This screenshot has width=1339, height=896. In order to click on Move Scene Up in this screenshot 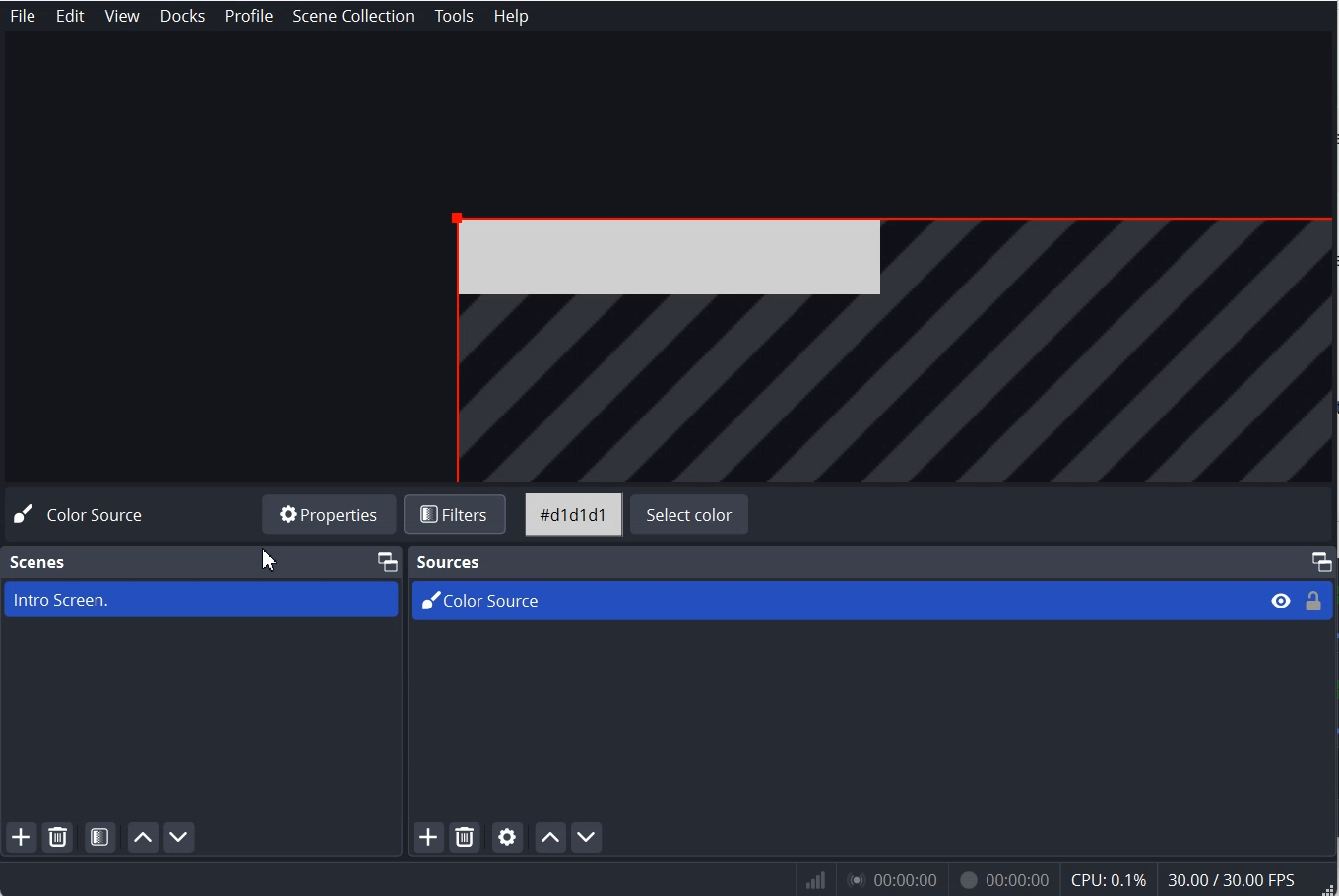, I will do `click(140, 838)`.